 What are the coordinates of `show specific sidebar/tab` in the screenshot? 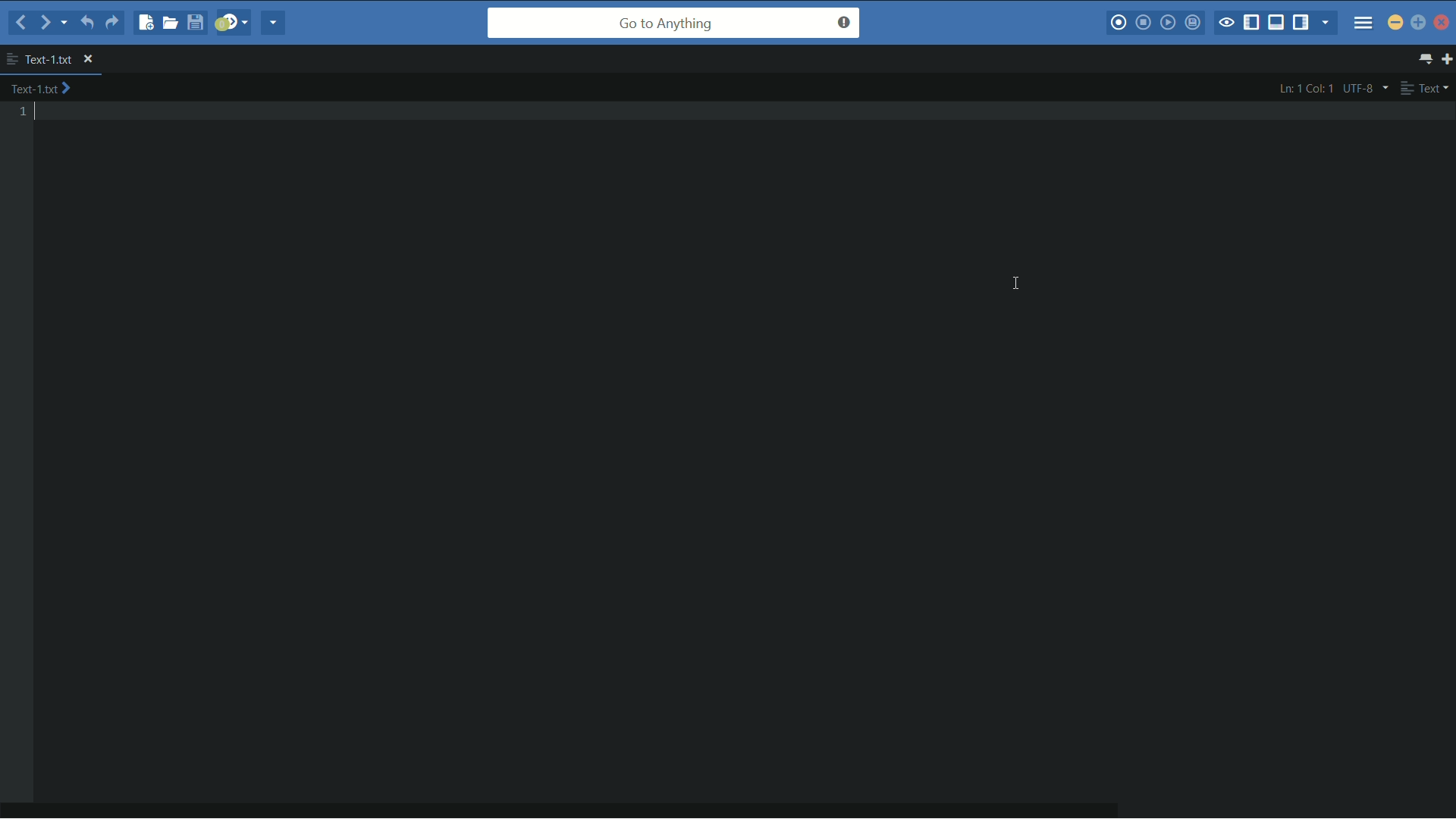 It's located at (1329, 24).